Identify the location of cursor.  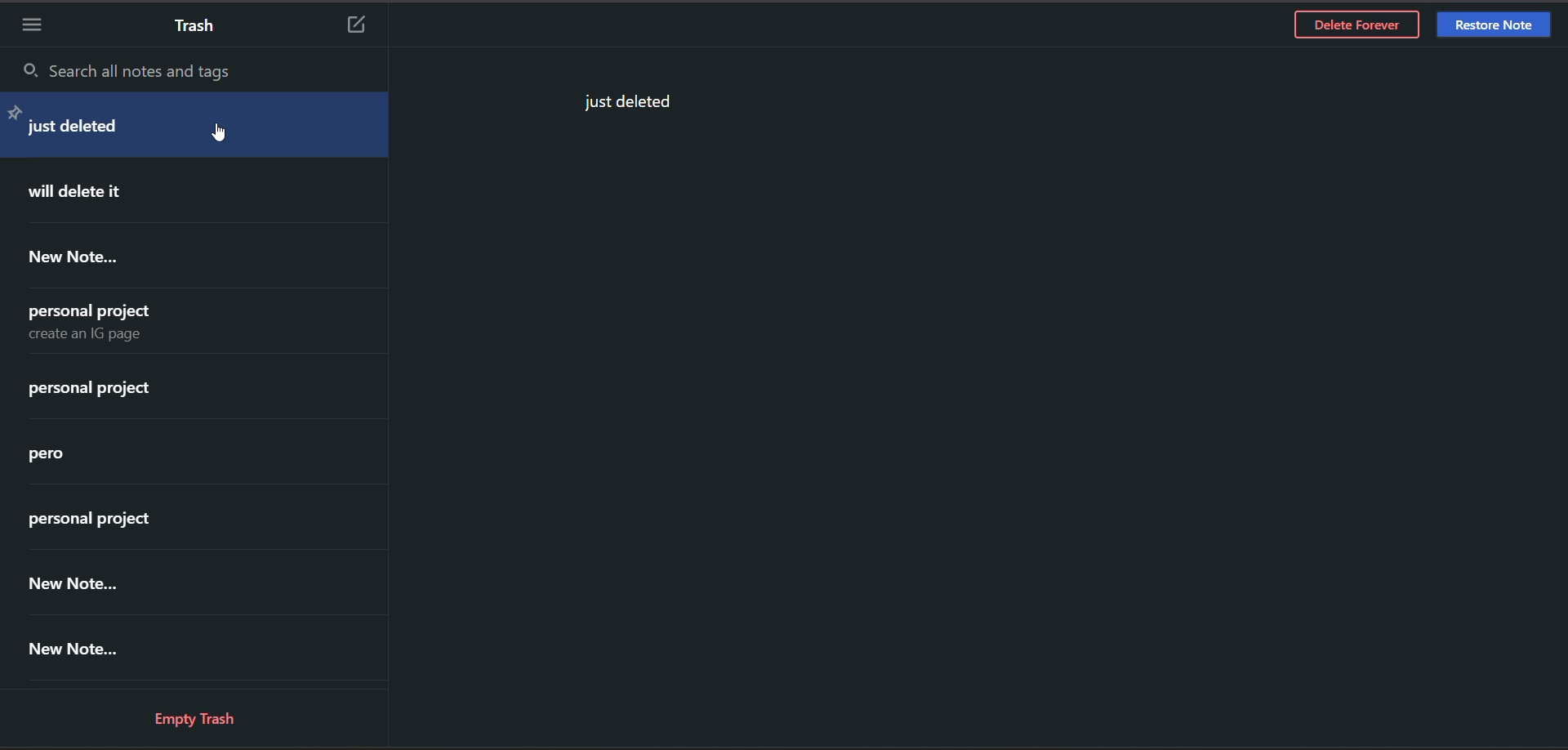
(224, 136).